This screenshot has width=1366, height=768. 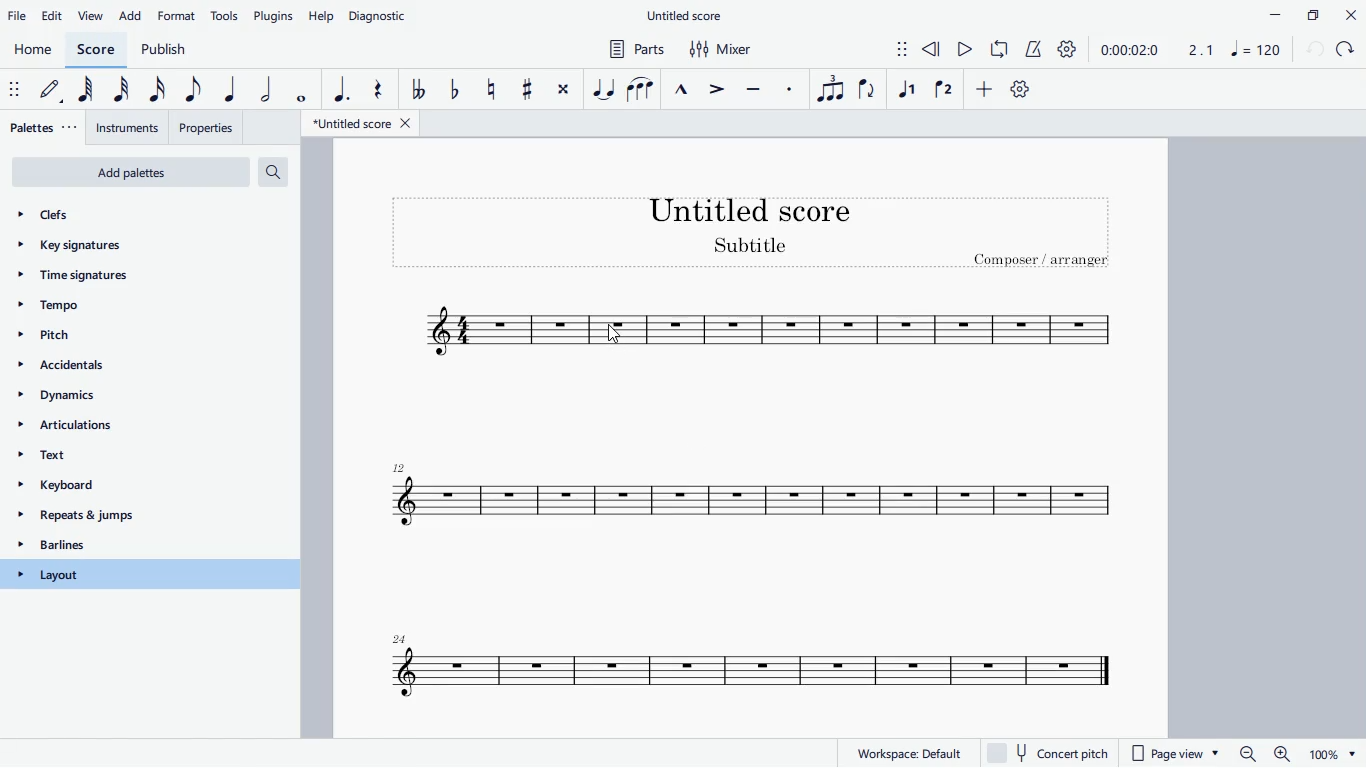 What do you see at coordinates (304, 87) in the screenshot?
I see `full note` at bounding box center [304, 87].